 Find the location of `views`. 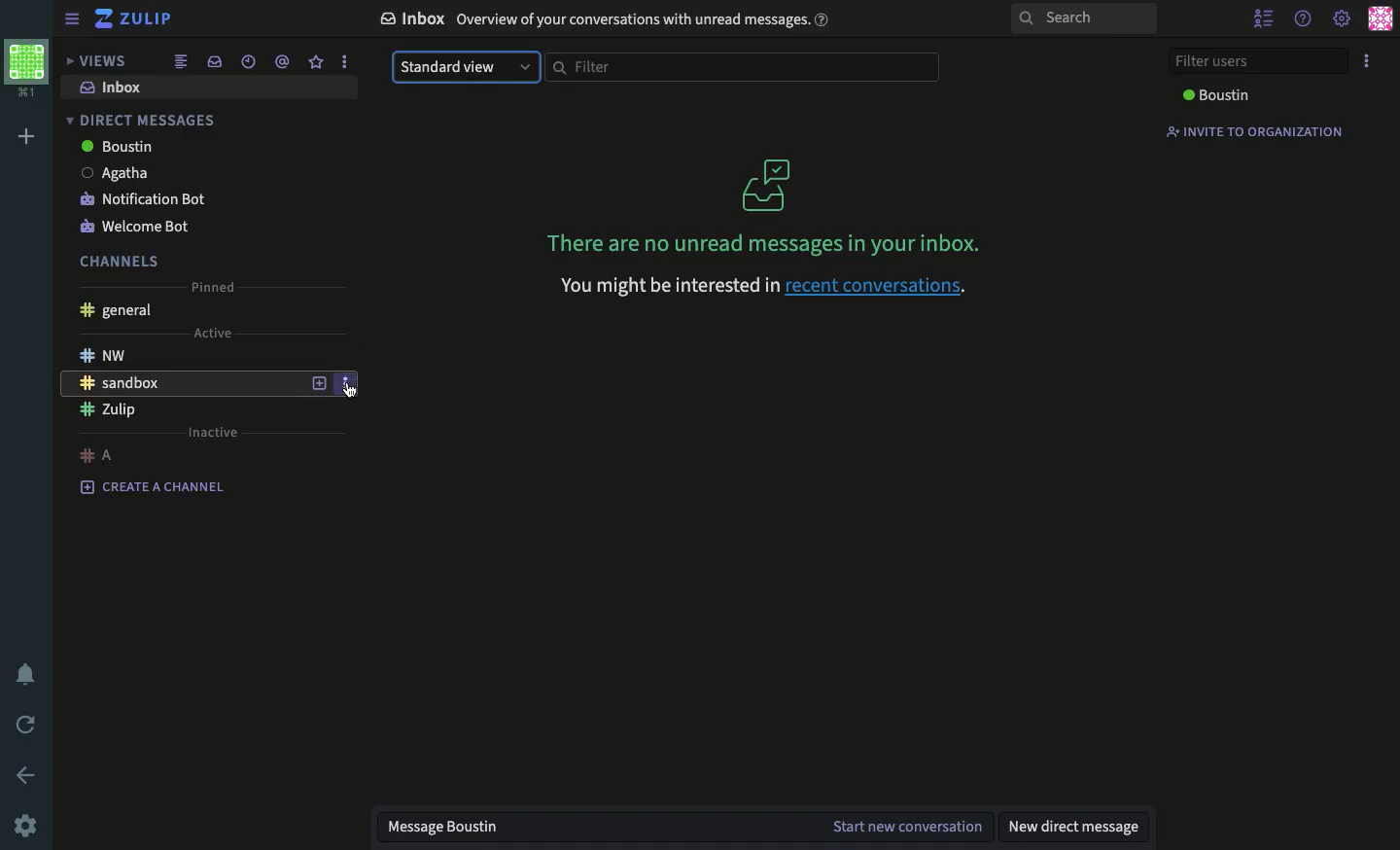

views is located at coordinates (100, 62).